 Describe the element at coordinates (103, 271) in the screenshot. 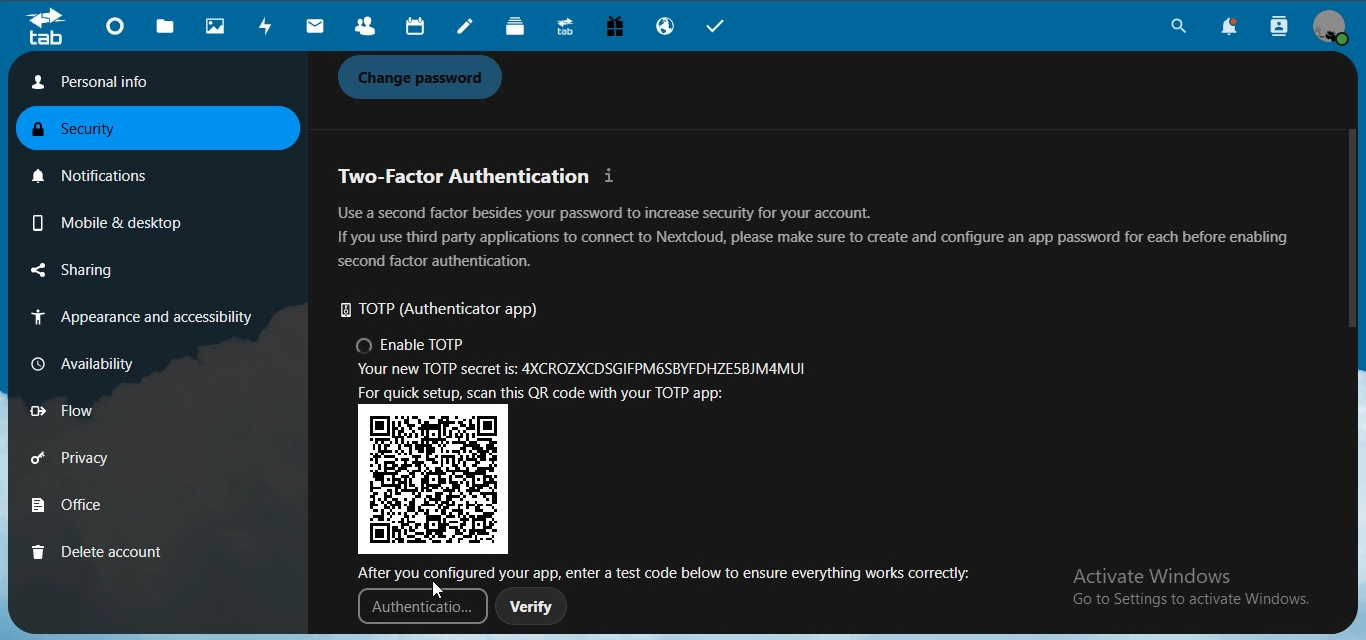

I see `sharing` at that location.